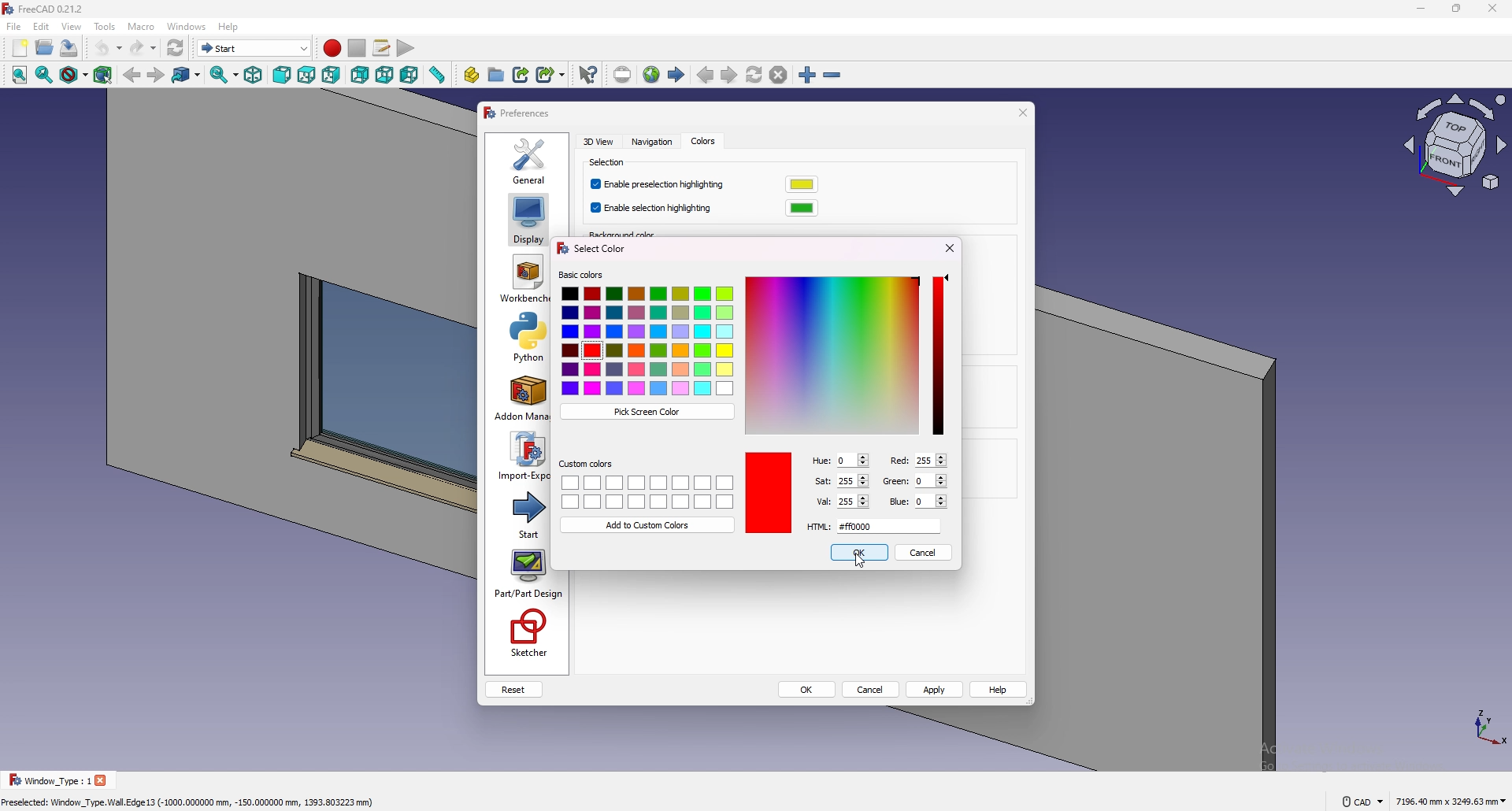 The width and height of the screenshot is (1512, 811). I want to click on rear, so click(360, 76).